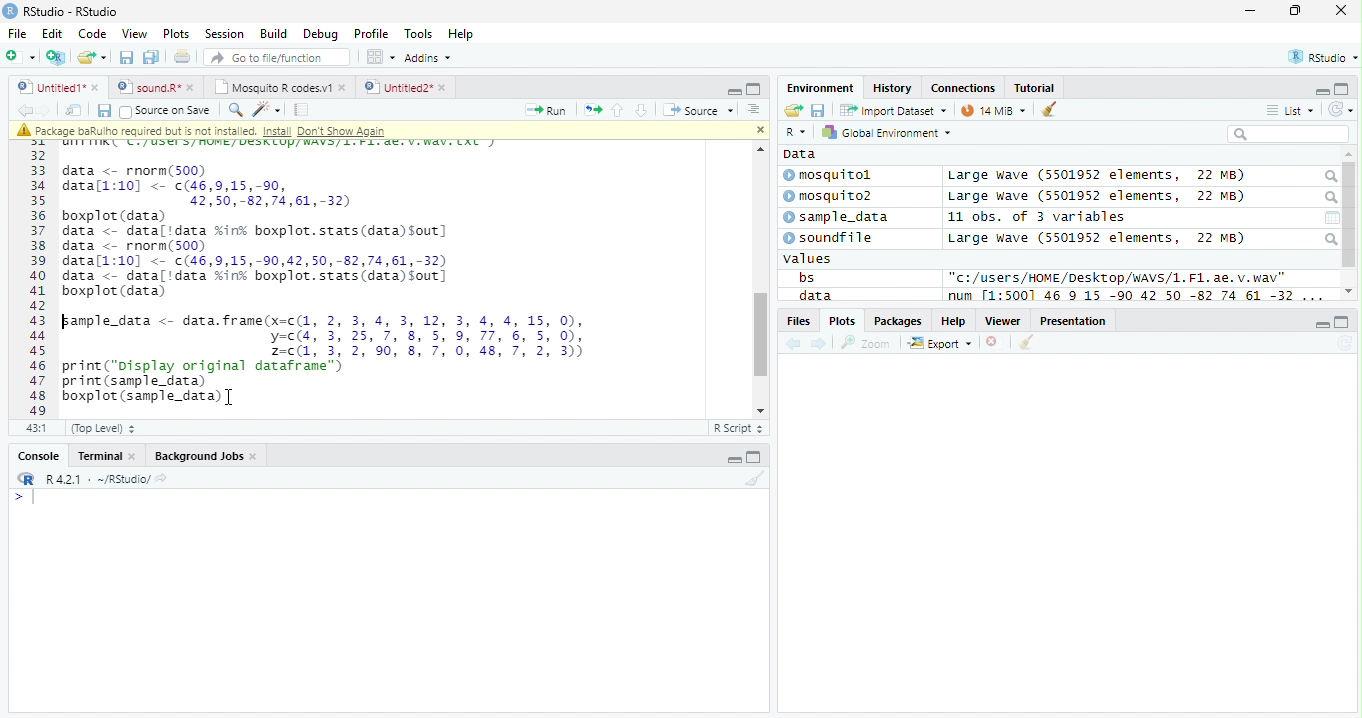  I want to click on Show document outline, so click(753, 109).